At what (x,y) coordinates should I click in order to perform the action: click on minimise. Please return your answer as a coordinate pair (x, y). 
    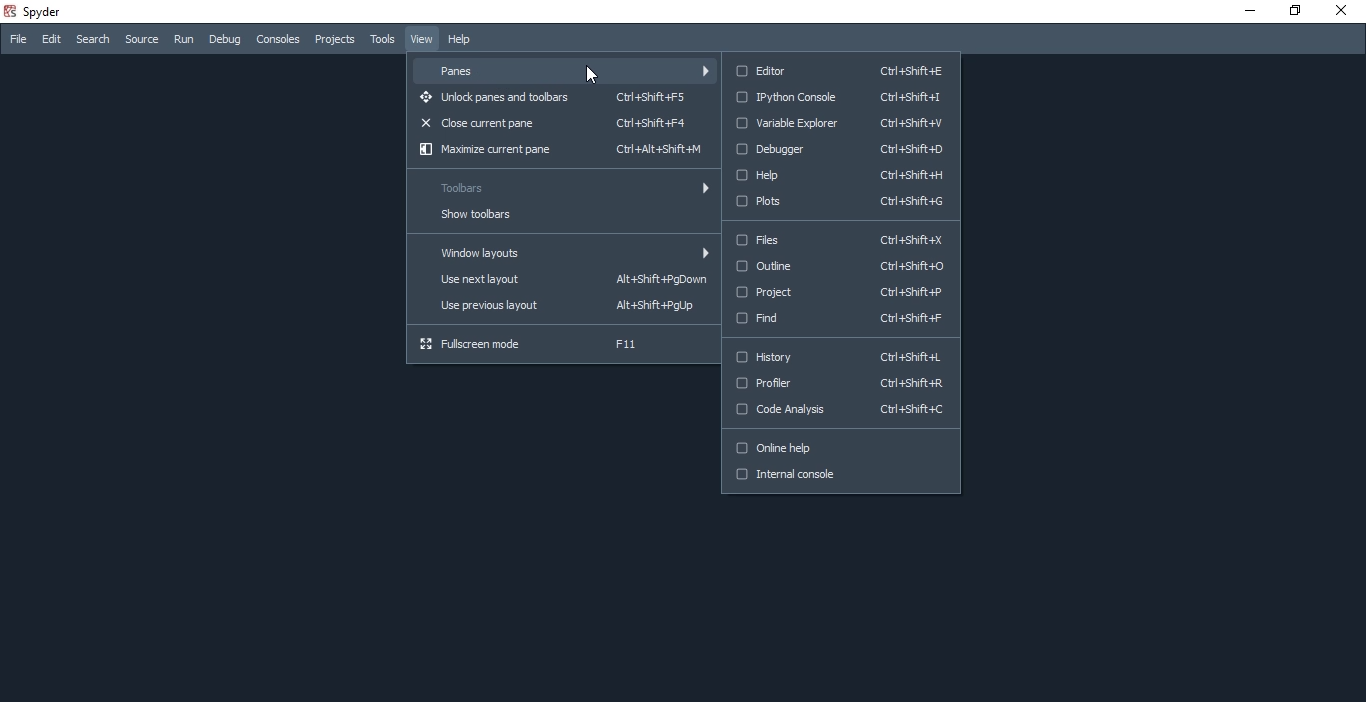
    Looking at the image, I should click on (1245, 11).